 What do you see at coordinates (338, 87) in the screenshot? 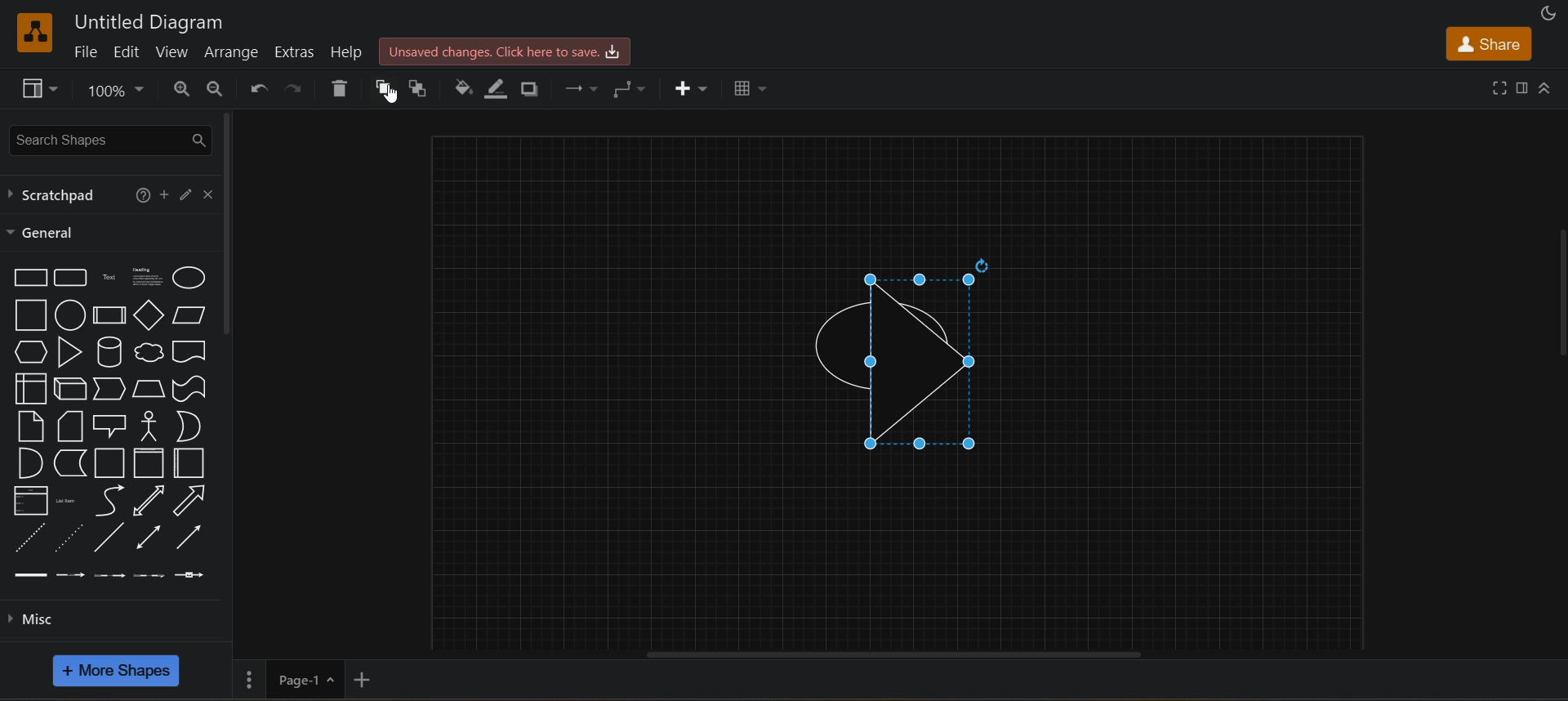
I see `delete` at bounding box center [338, 87].